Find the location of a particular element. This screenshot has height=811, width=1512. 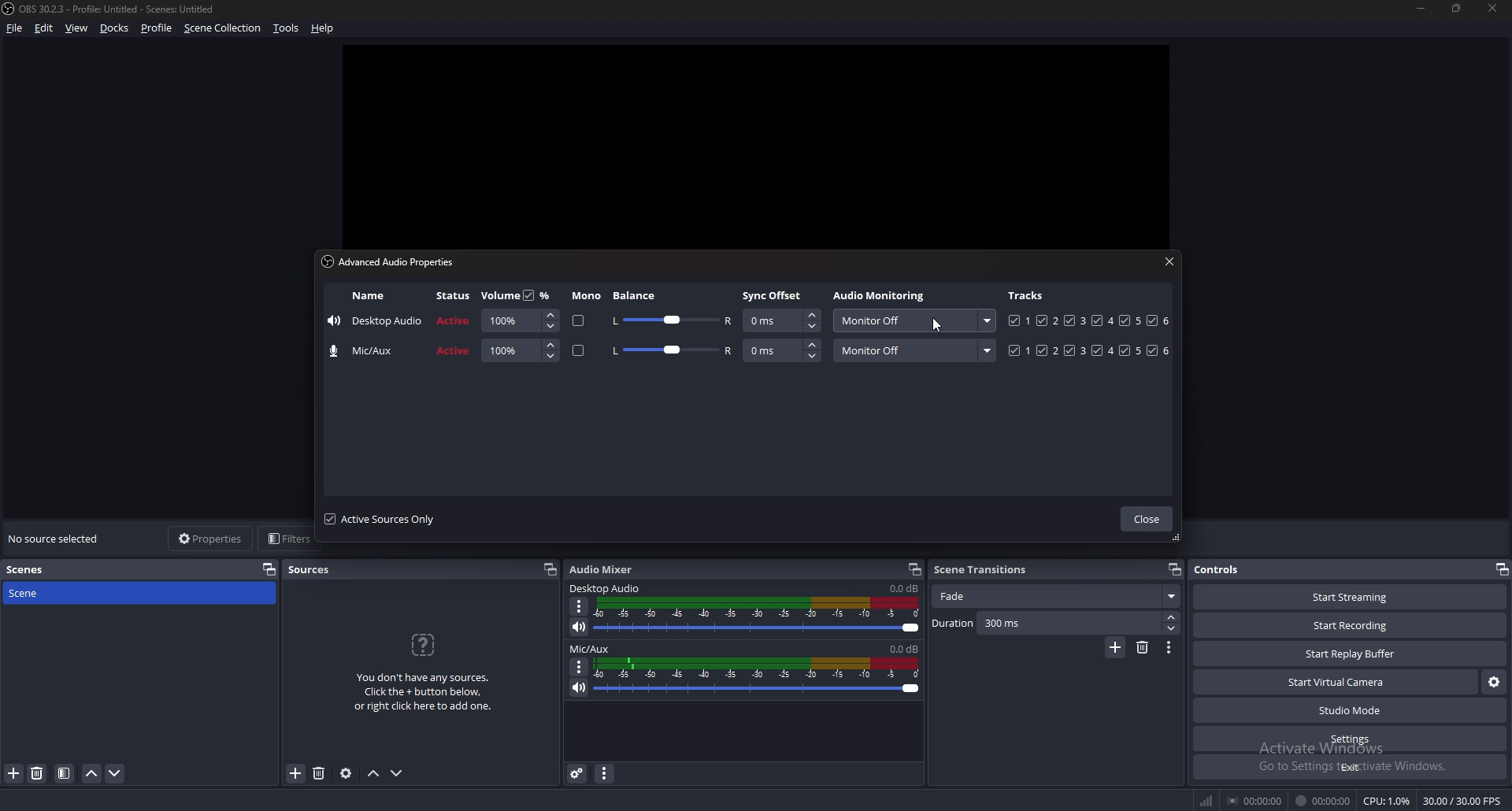

start virtual camera is located at coordinates (1336, 683).